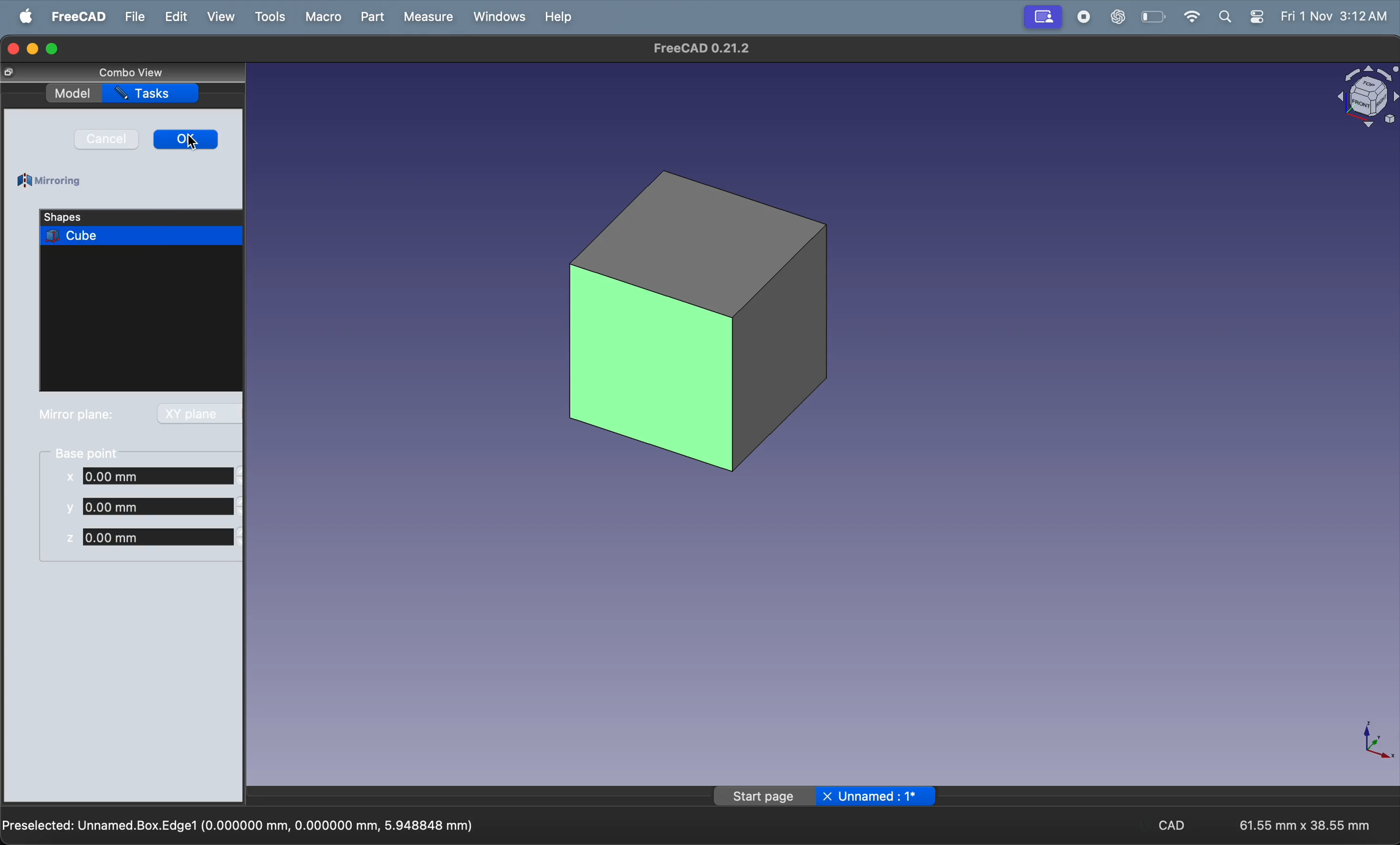 Image resolution: width=1400 pixels, height=845 pixels. What do you see at coordinates (106, 139) in the screenshot?
I see `cancel` at bounding box center [106, 139].